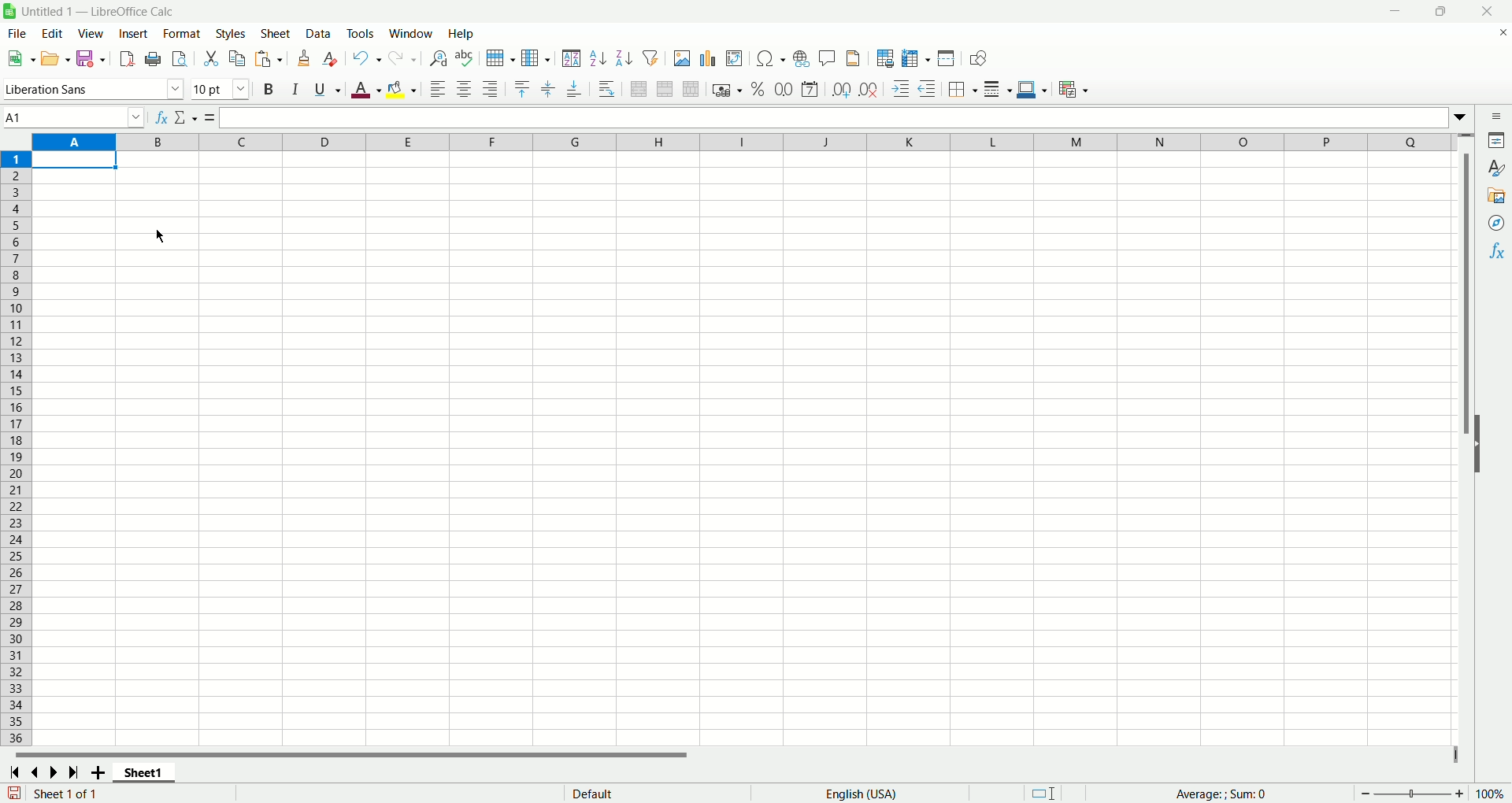  What do you see at coordinates (636, 89) in the screenshot?
I see `merge and center cells` at bounding box center [636, 89].